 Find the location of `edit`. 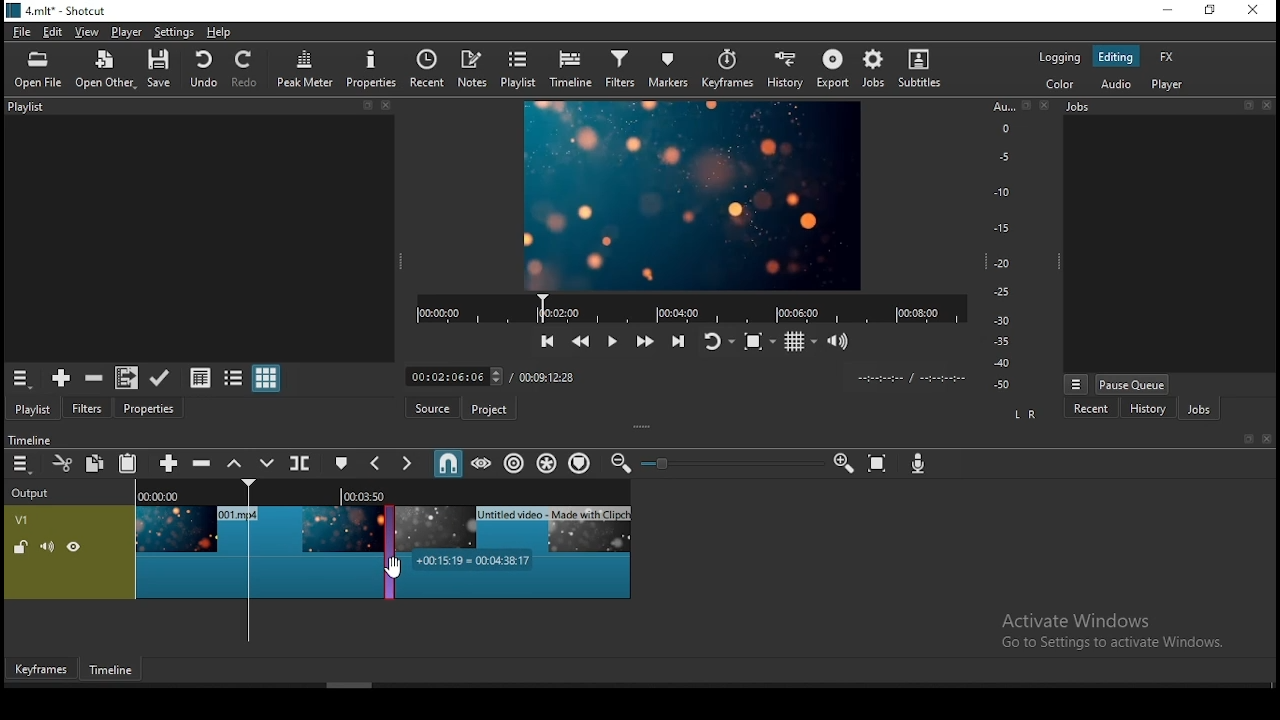

edit is located at coordinates (56, 31).